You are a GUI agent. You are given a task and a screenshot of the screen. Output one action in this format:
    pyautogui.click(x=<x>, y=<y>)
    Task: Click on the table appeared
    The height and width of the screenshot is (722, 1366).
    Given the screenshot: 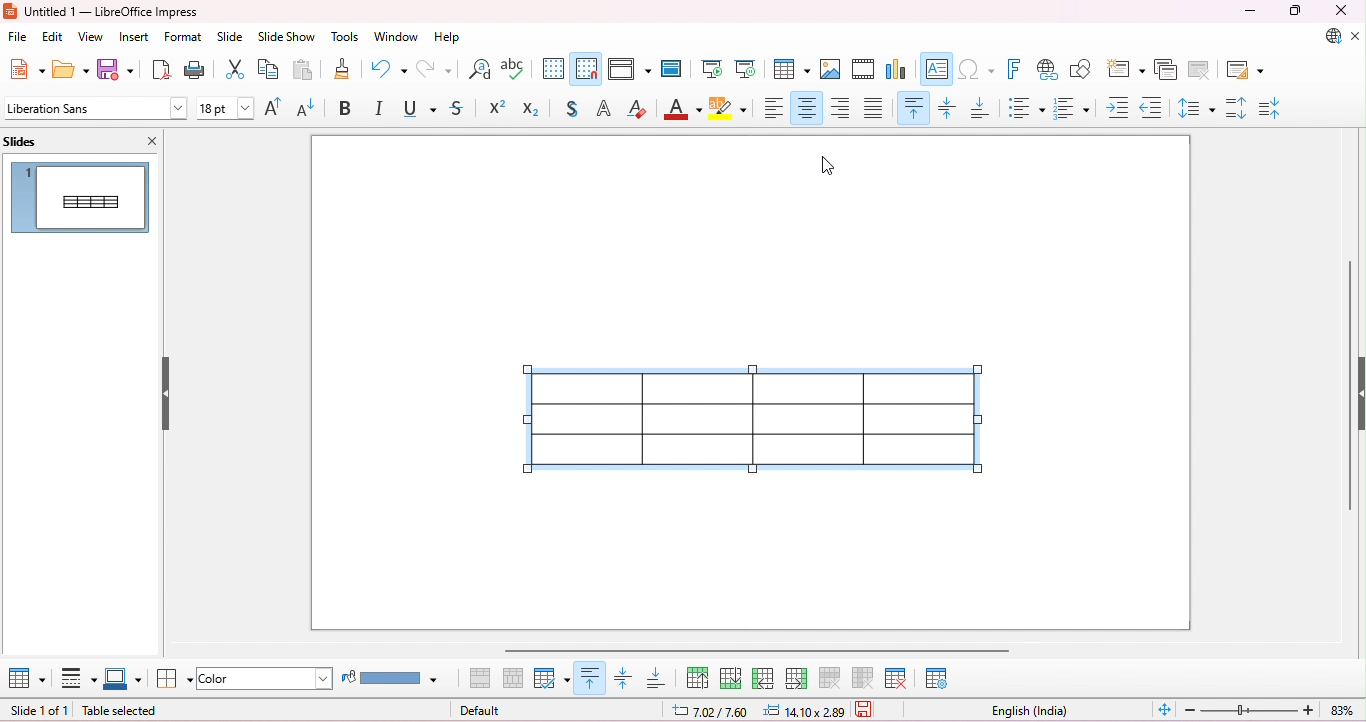 What is the action you would take?
    pyautogui.click(x=77, y=195)
    